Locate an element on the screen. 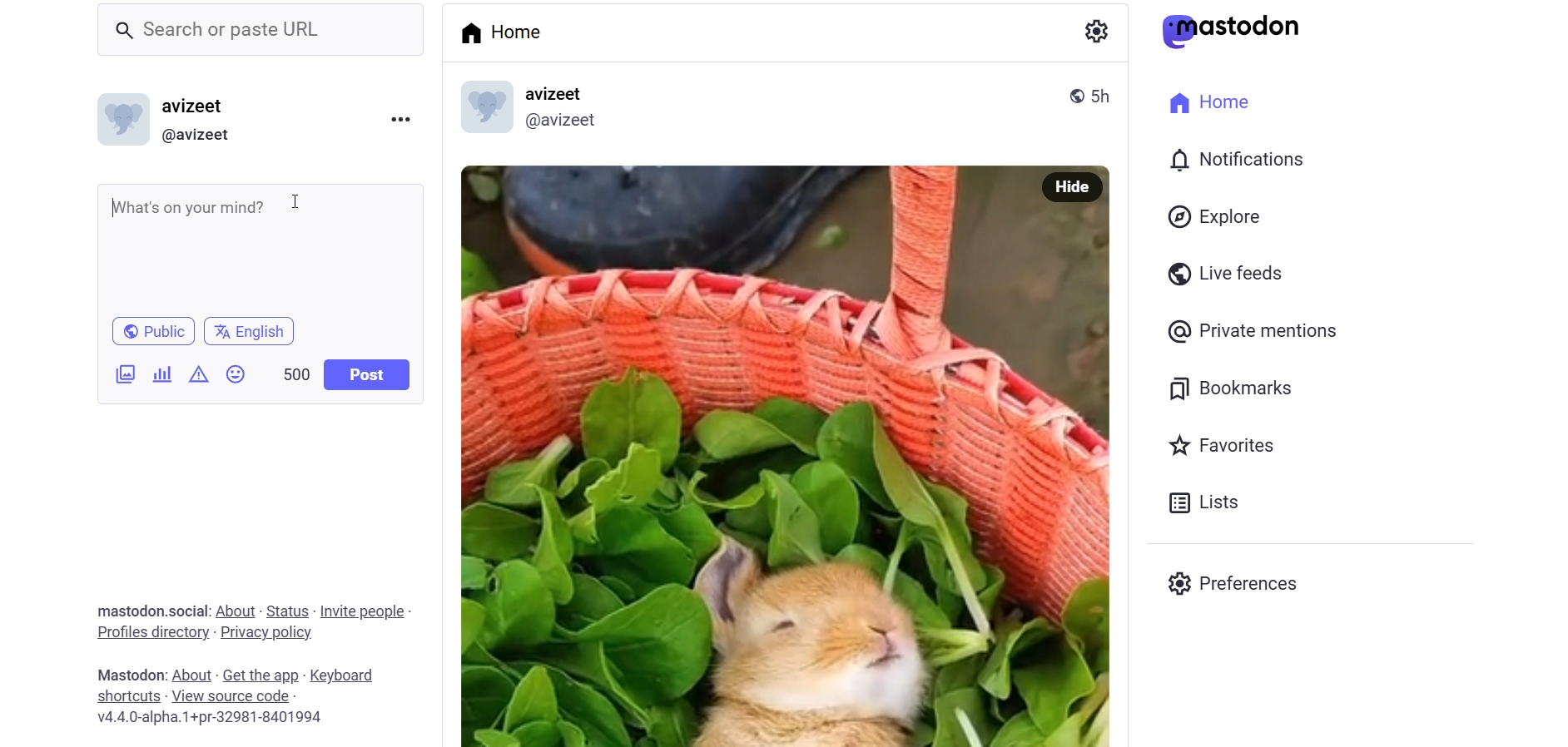 The width and height of the screenshot is (1568, 747). invite people is located at coordinates (365, 610).